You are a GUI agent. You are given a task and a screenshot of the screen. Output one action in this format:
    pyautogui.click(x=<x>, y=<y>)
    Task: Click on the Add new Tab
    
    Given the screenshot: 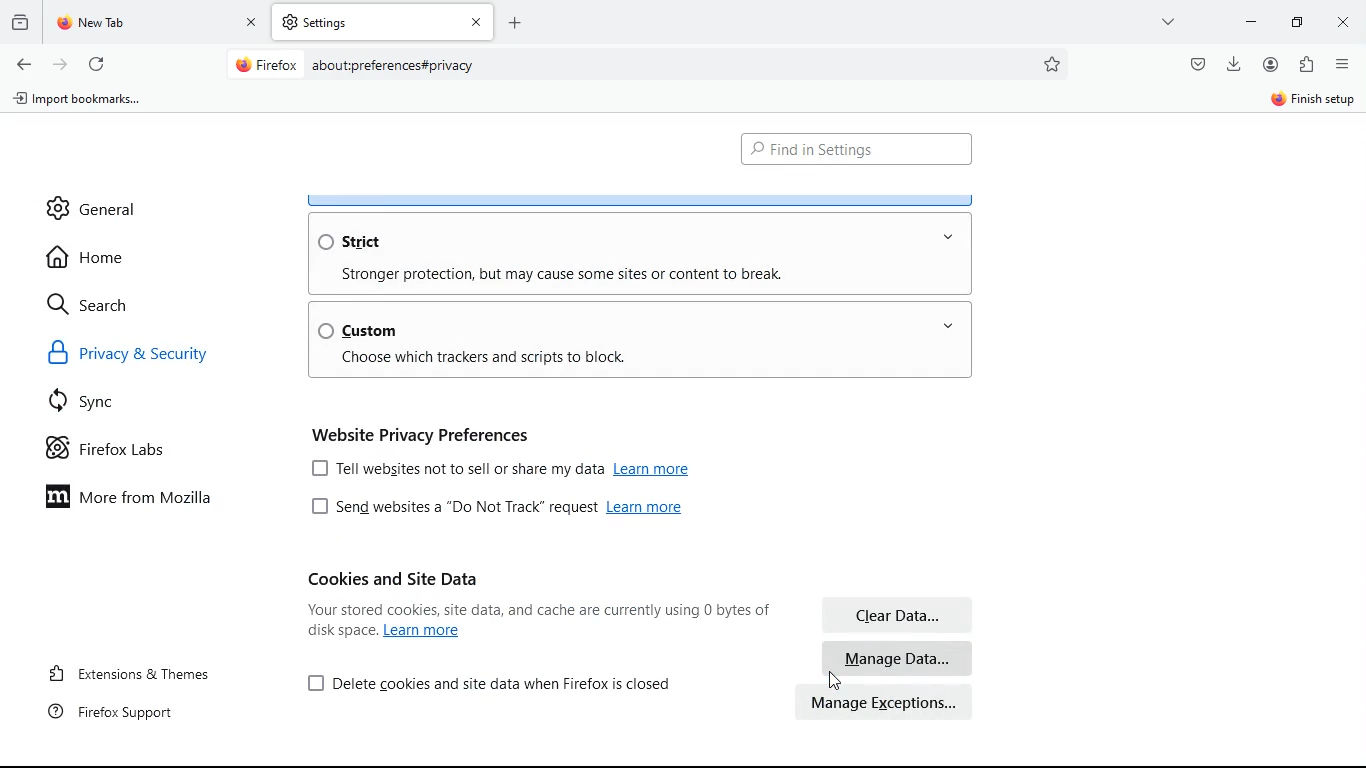 What is the action you would take?
    pyautogui.click(x=515, y=22)
    